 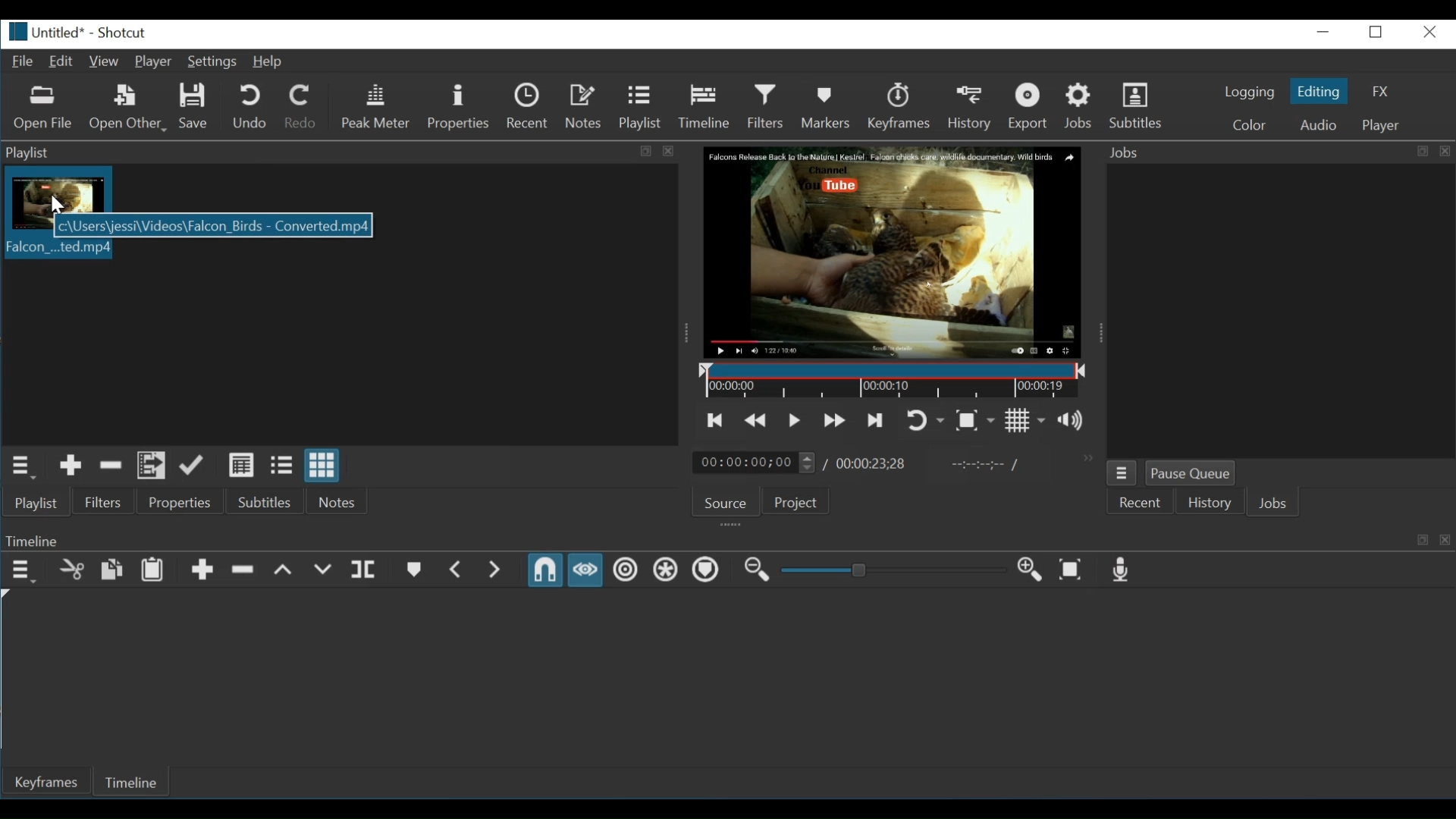 I want to click on Ripple delete, so click(x=243, y=570).